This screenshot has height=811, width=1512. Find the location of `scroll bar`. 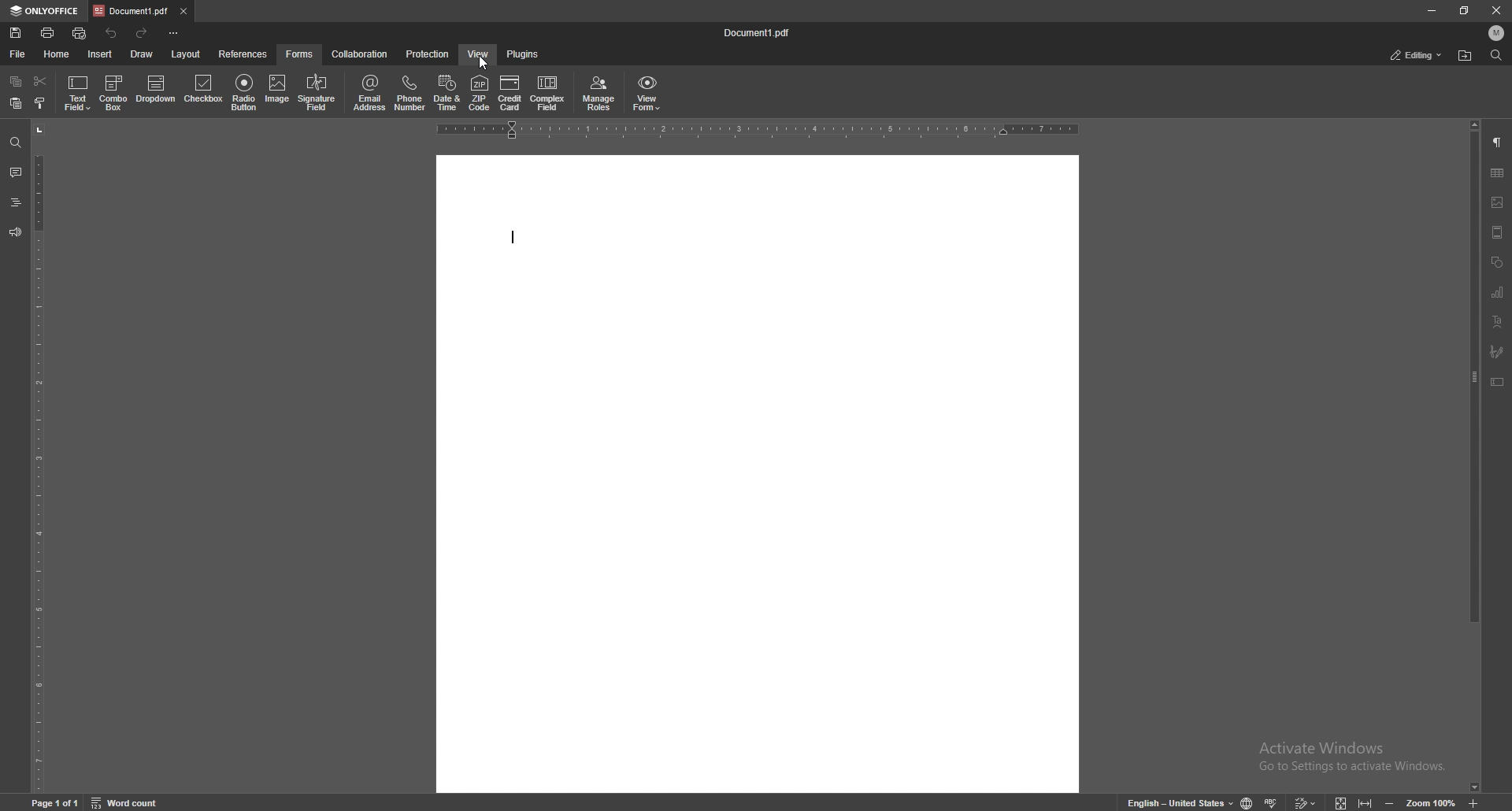

scroll bar is located at coordinates (1470, 455).